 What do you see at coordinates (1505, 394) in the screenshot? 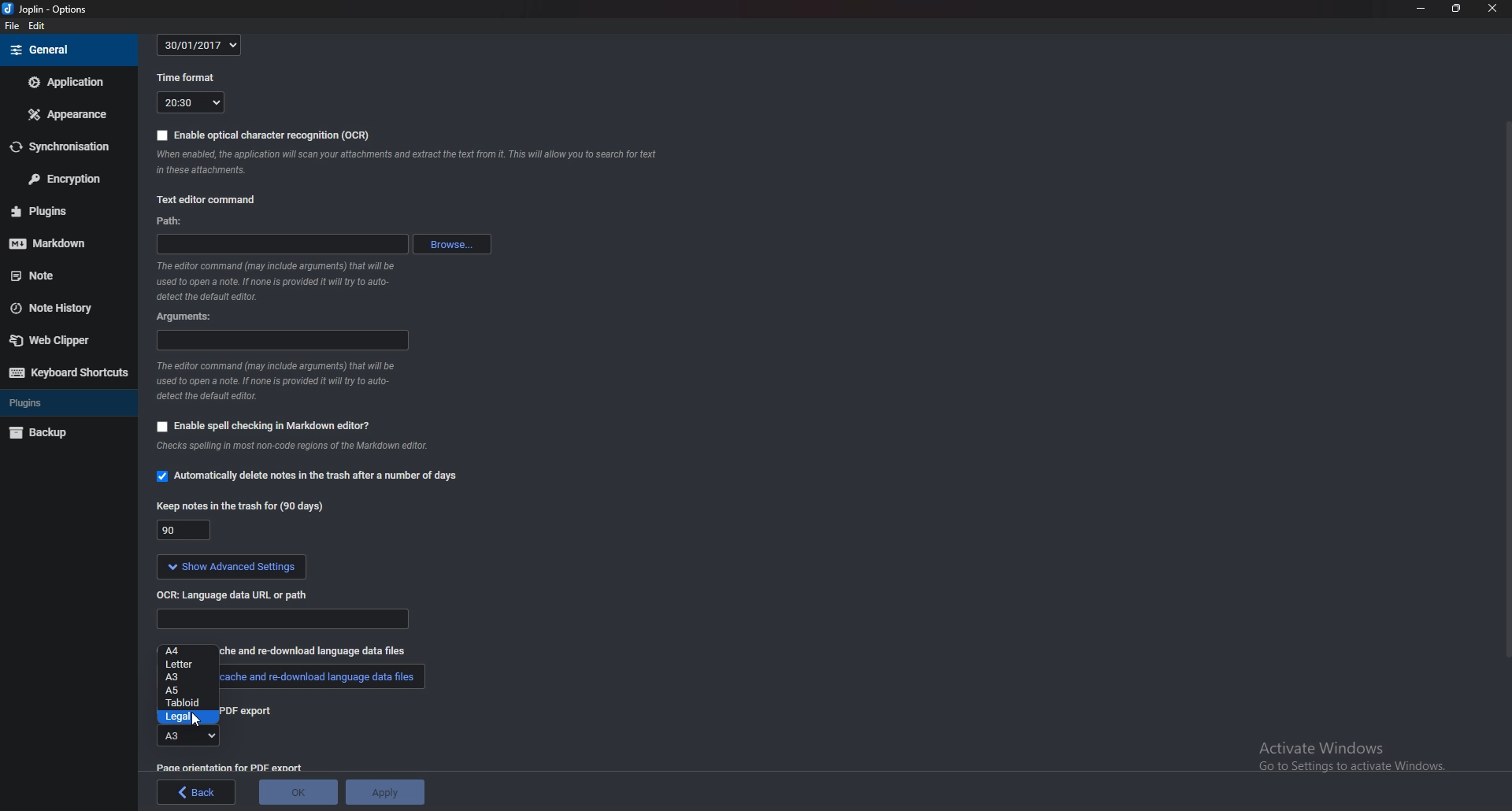
I see `Scroll bar` at bounding box center [1505, 394].